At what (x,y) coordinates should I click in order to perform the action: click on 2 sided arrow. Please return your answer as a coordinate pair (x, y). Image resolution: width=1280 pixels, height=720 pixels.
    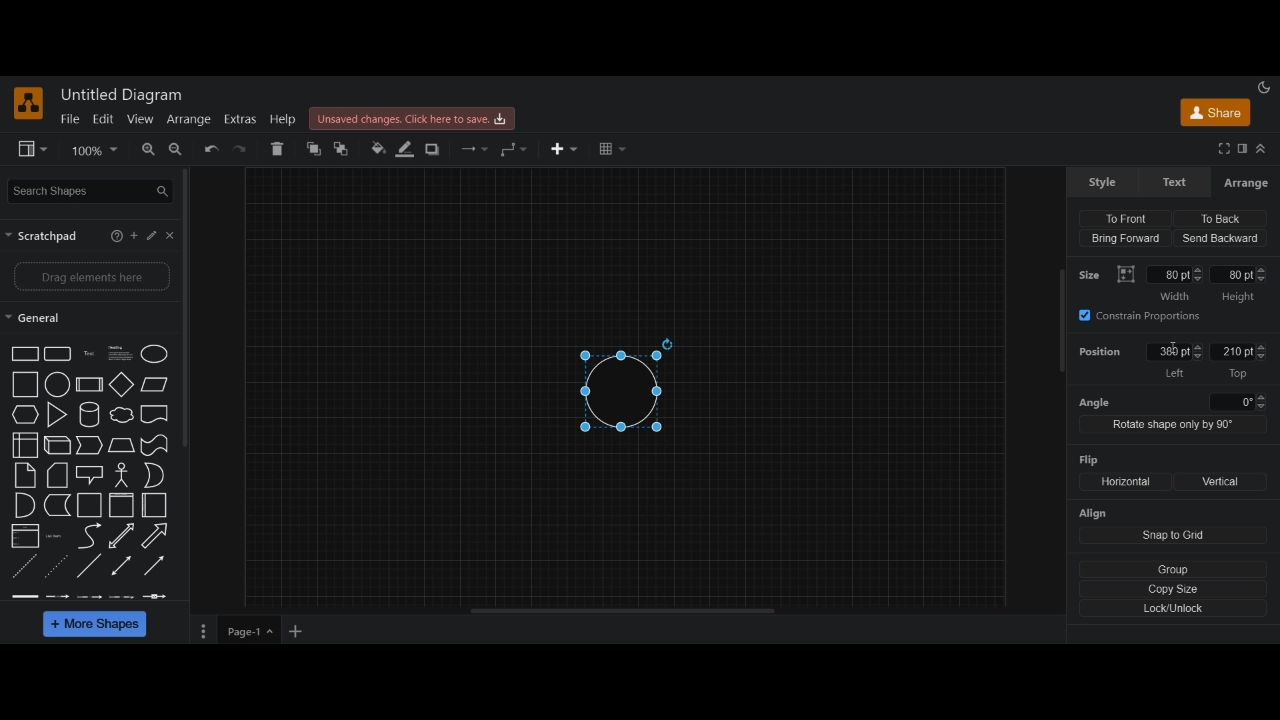
    Looking at the image, I should click on (123, 565).